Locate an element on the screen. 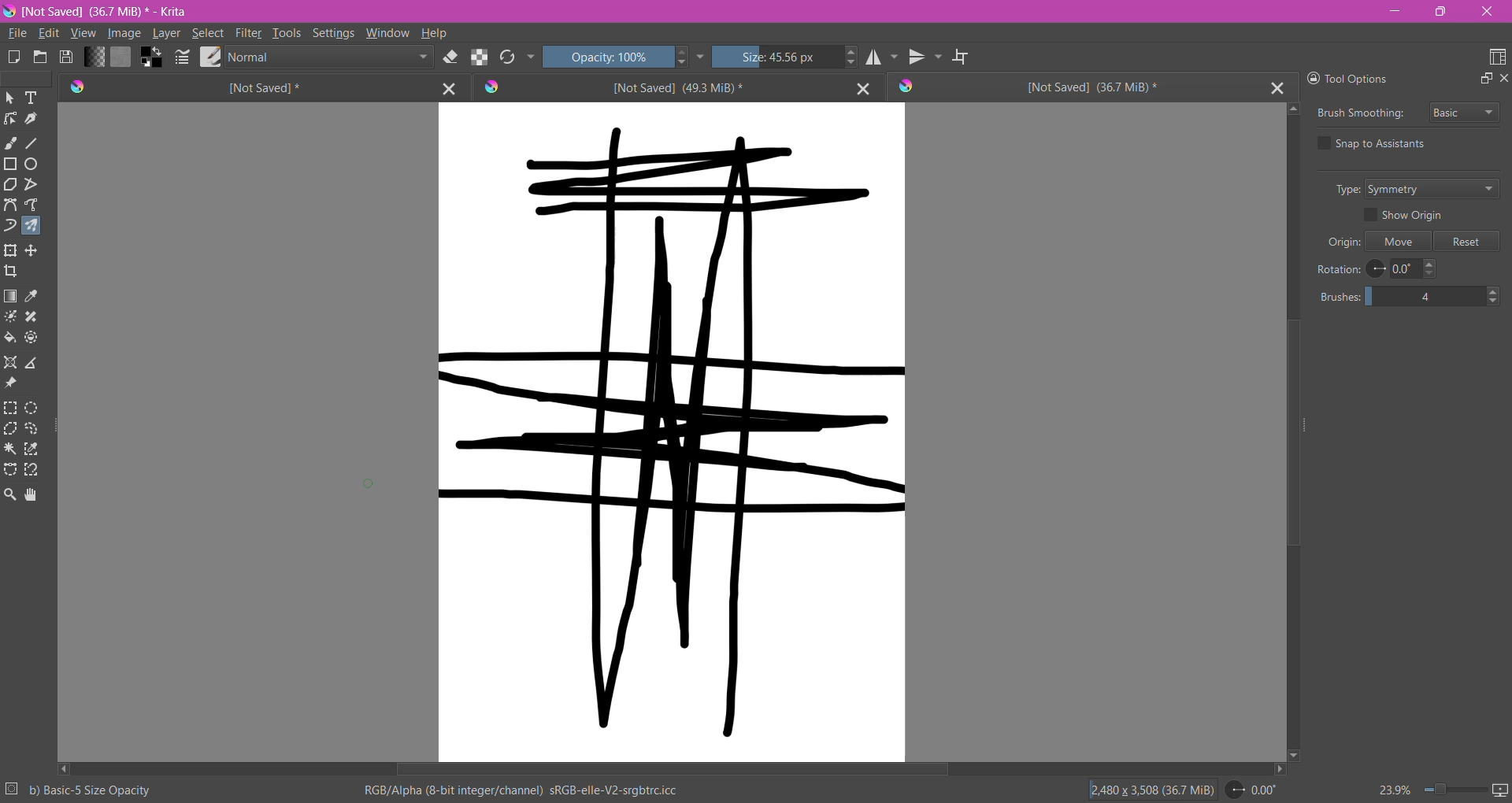 The width and height of the screenshot is (1512, 803). Smart Patch Tool is located at coordinates (32, 317).